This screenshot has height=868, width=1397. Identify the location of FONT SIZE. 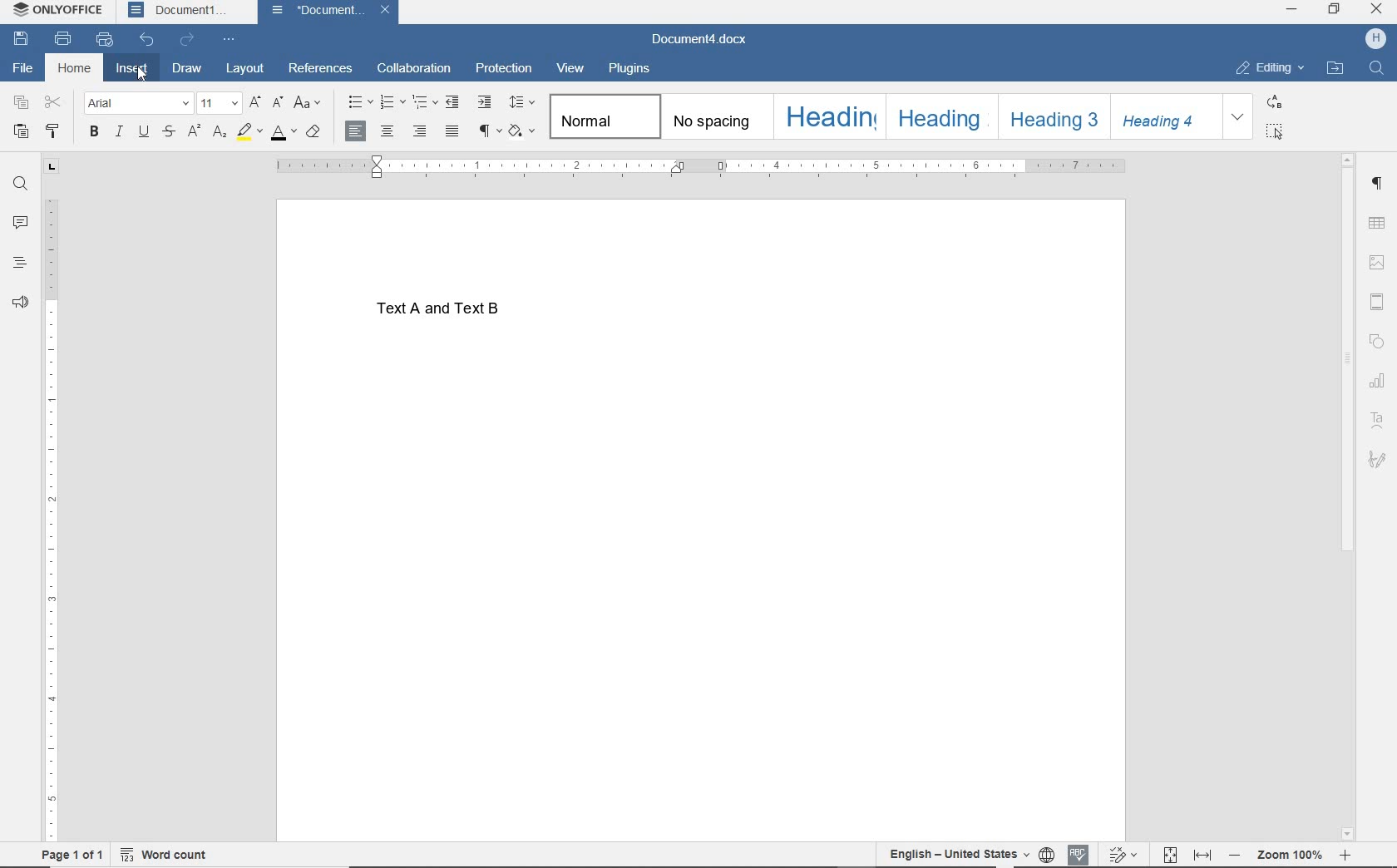
(218, 104).